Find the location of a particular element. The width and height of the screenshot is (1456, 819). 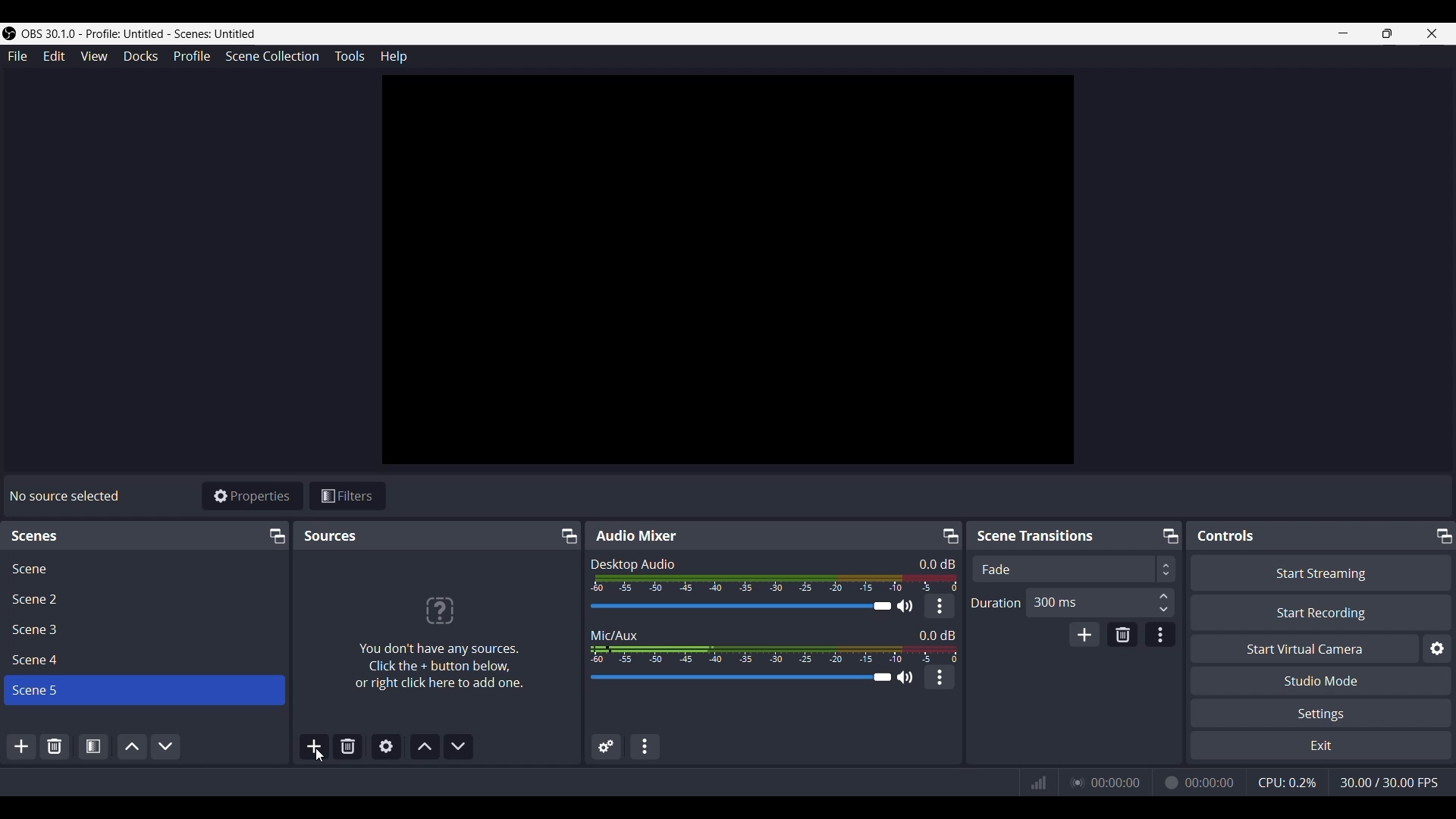

Open Sources Properties is located at coordinates (386, 745).